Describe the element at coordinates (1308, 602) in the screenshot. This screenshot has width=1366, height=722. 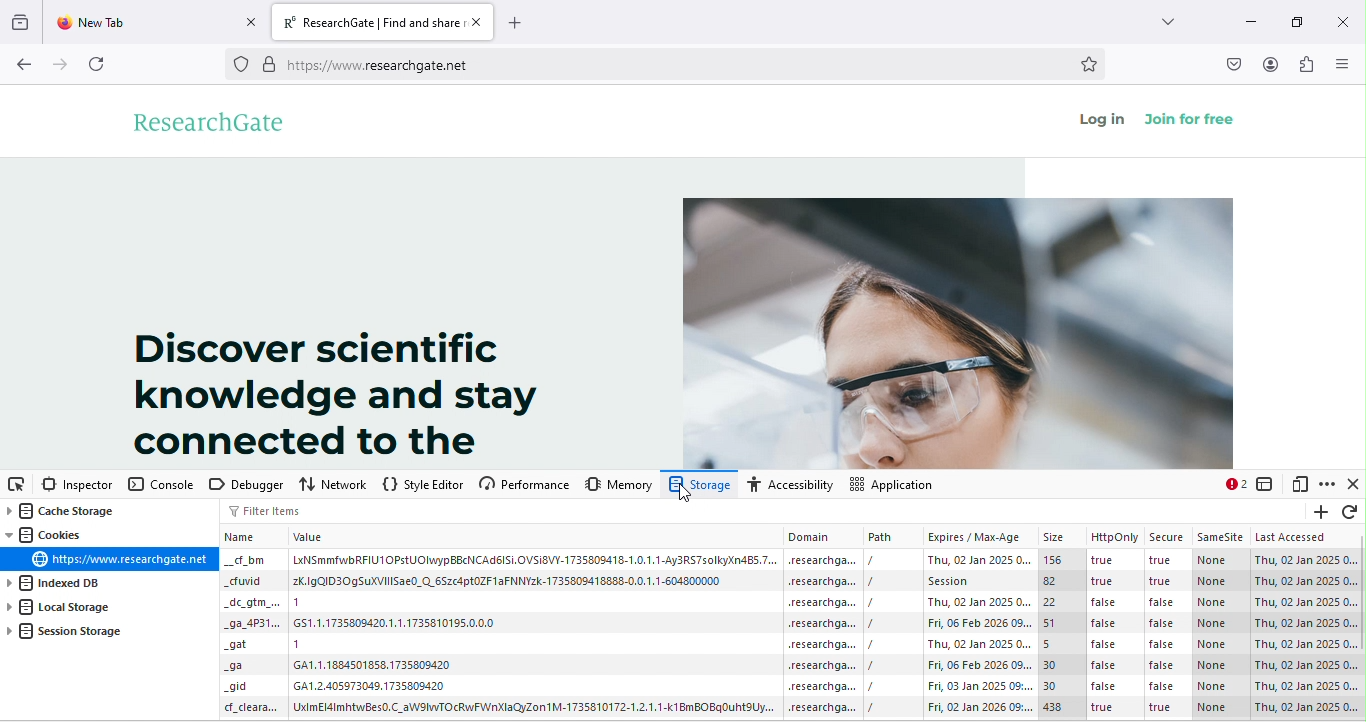
I see `date` at that location.